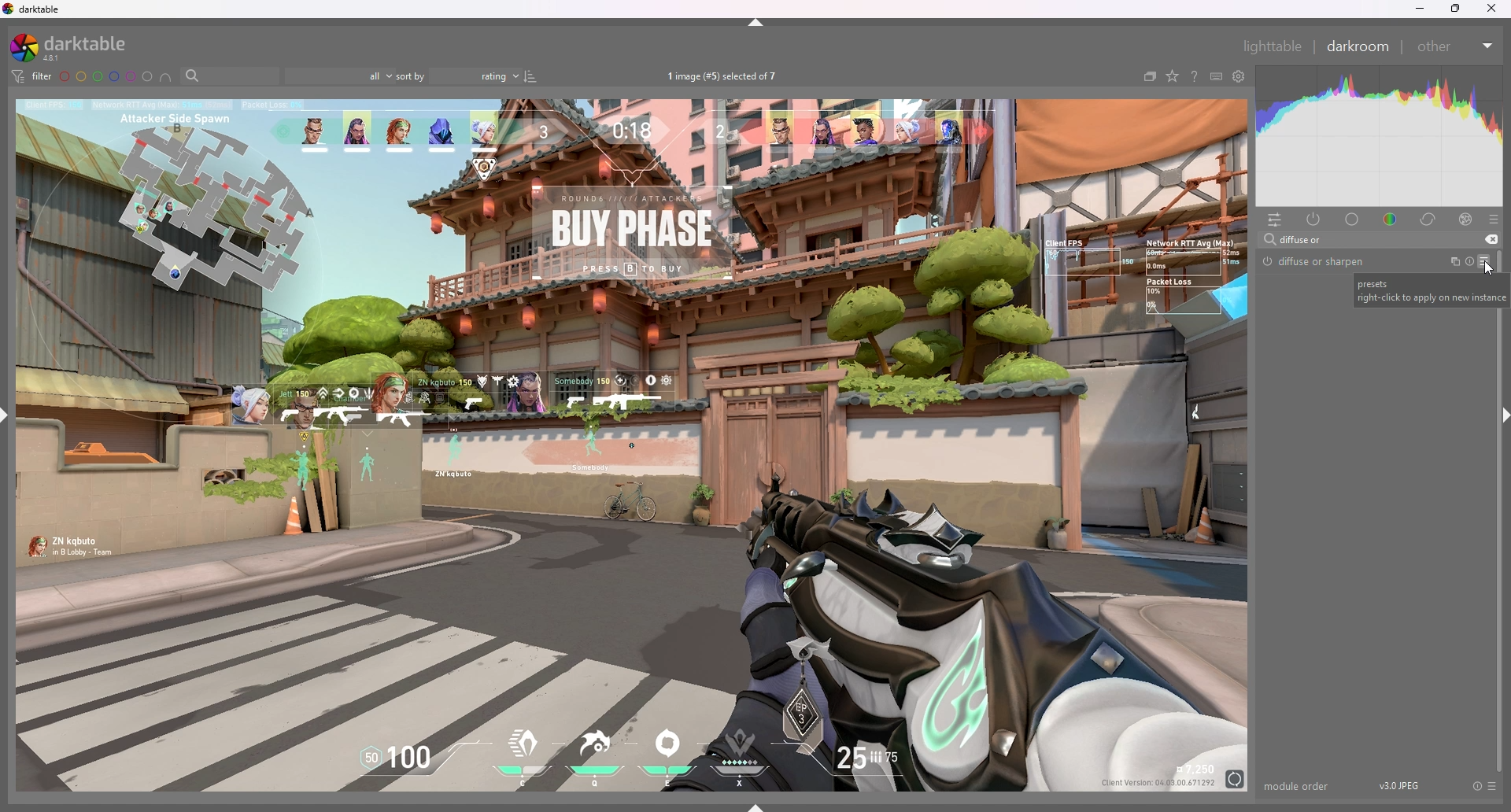 The width and height of the screenshot is (1511, 812). I want to click on keyboard shortcut, so click(1217, 76).